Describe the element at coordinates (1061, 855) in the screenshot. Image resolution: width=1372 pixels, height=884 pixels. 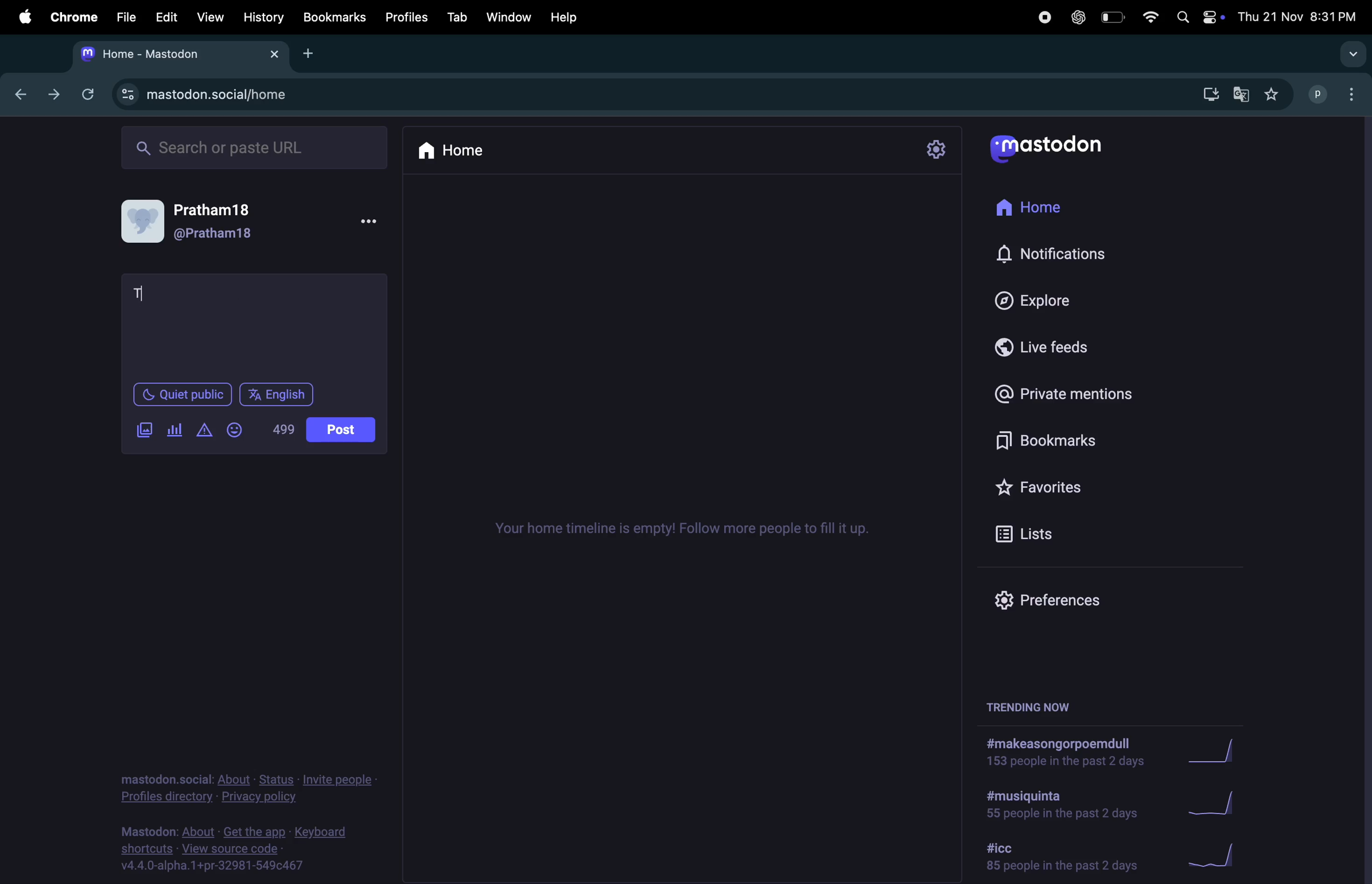
I see `hashtag` at that location.